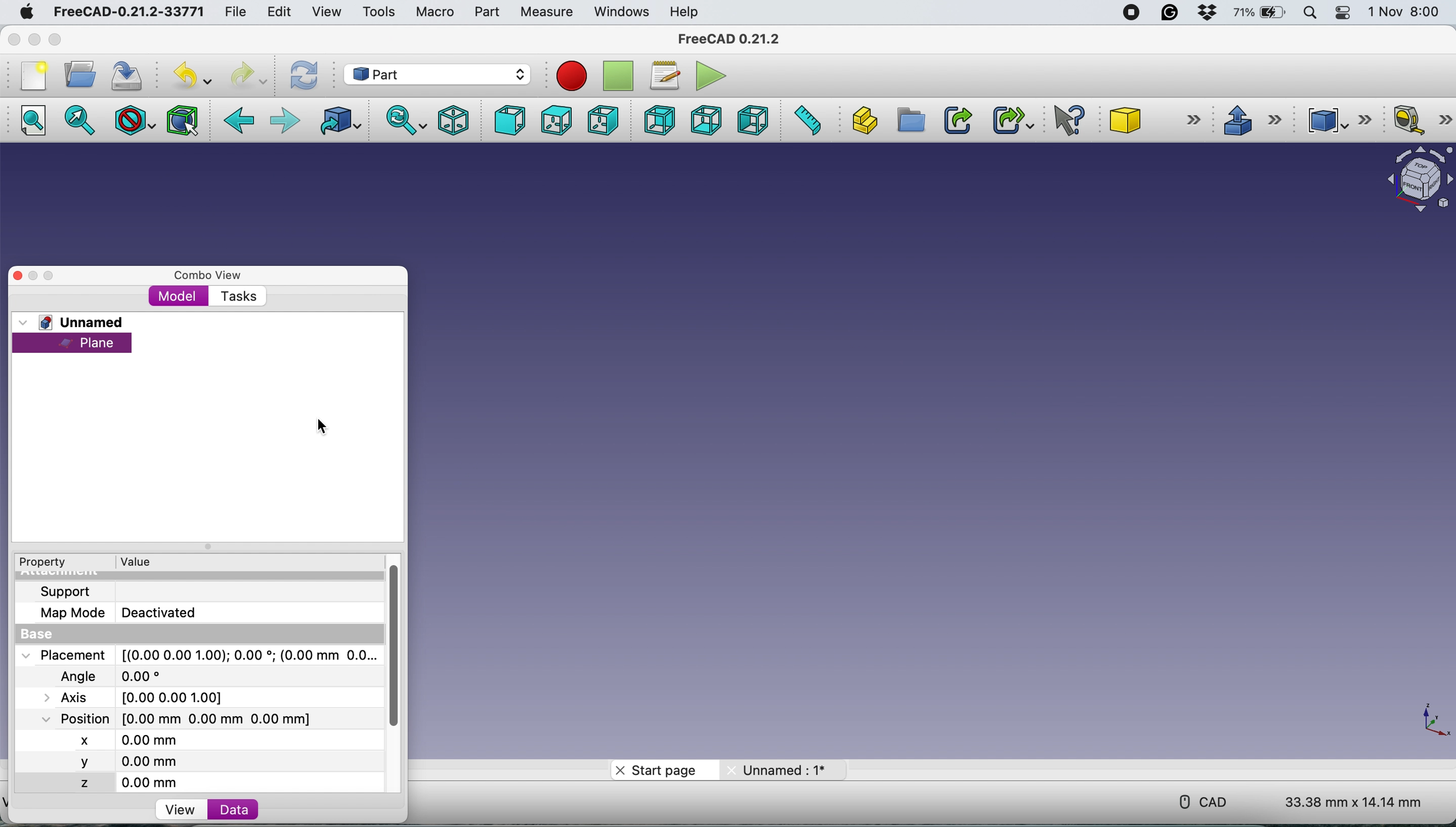 This screenshot has height=827, width=1456. I want to click on tasks, so click(242, 297).